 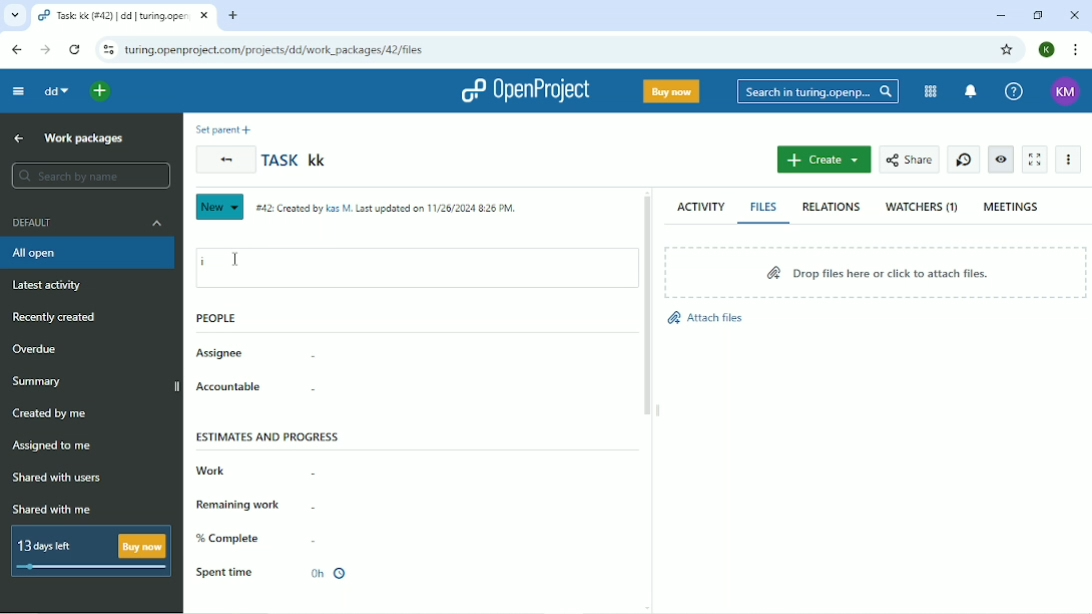 I want to click on Created by and on, so click(x=388, y=208).